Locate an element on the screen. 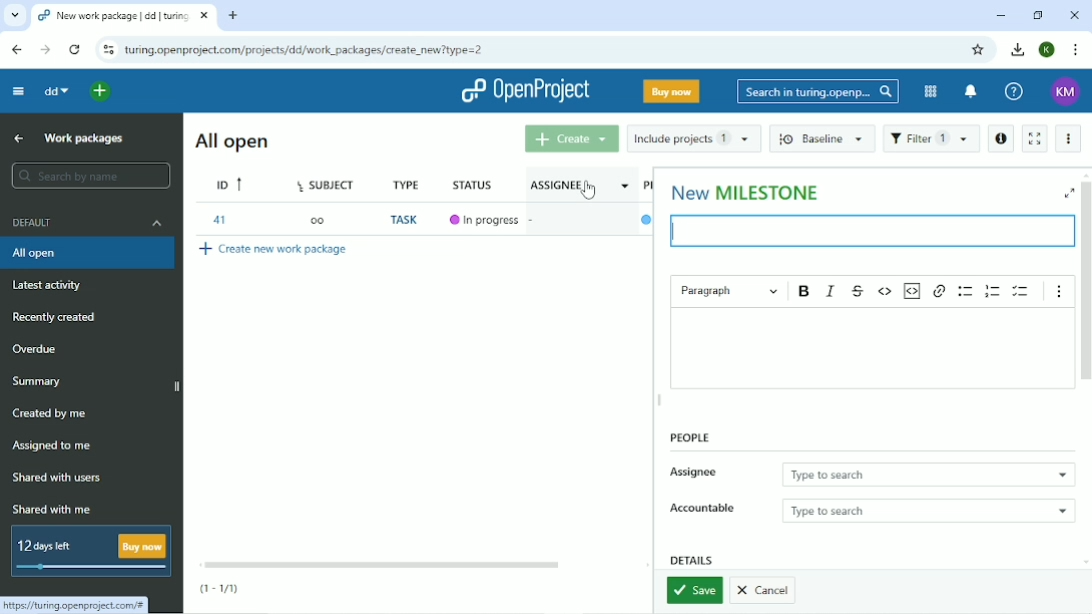 The image size is (1092, 614). Forward is located at coordinates (45, 50).